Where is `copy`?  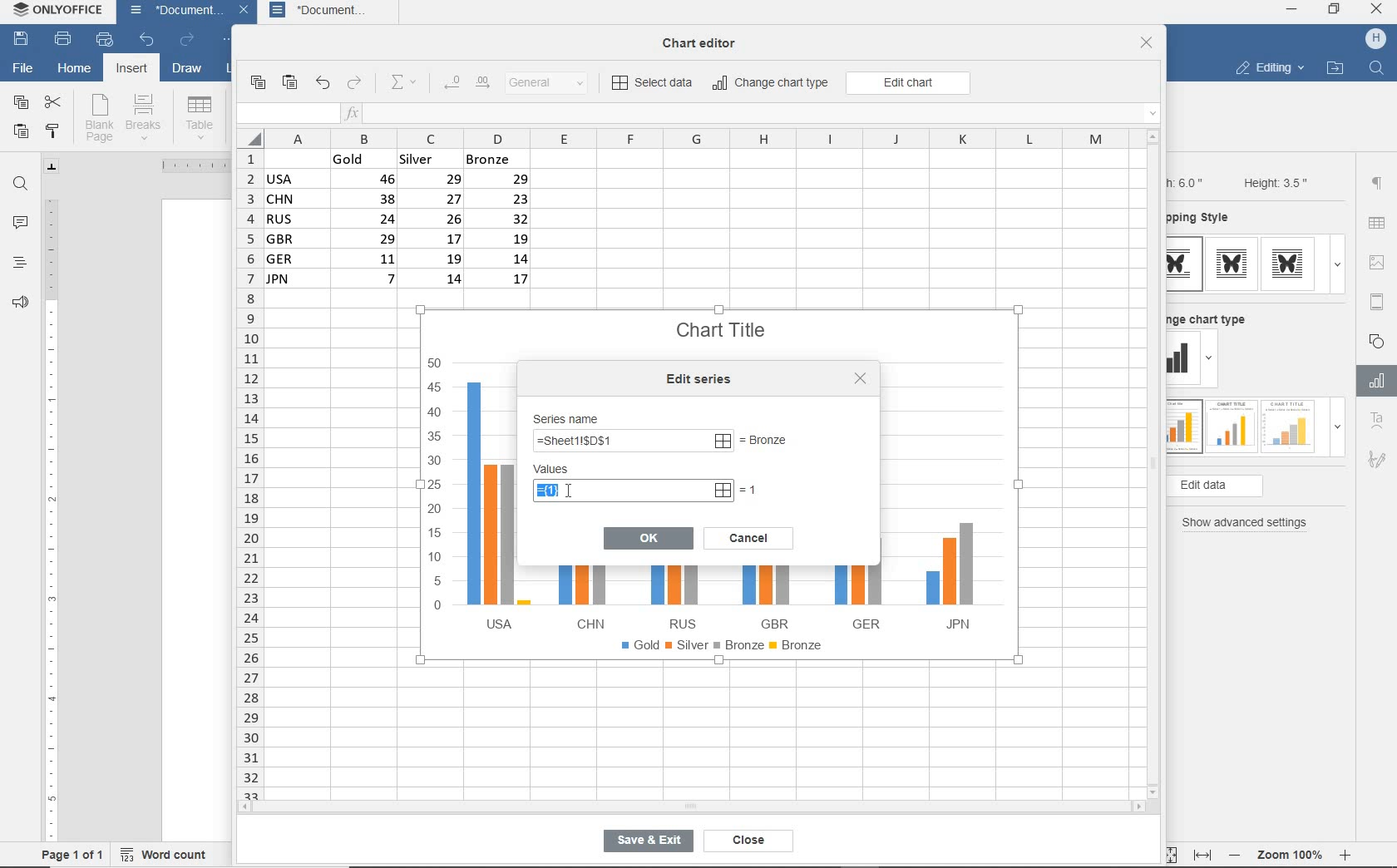
copy is located at coordinates (20, 103).